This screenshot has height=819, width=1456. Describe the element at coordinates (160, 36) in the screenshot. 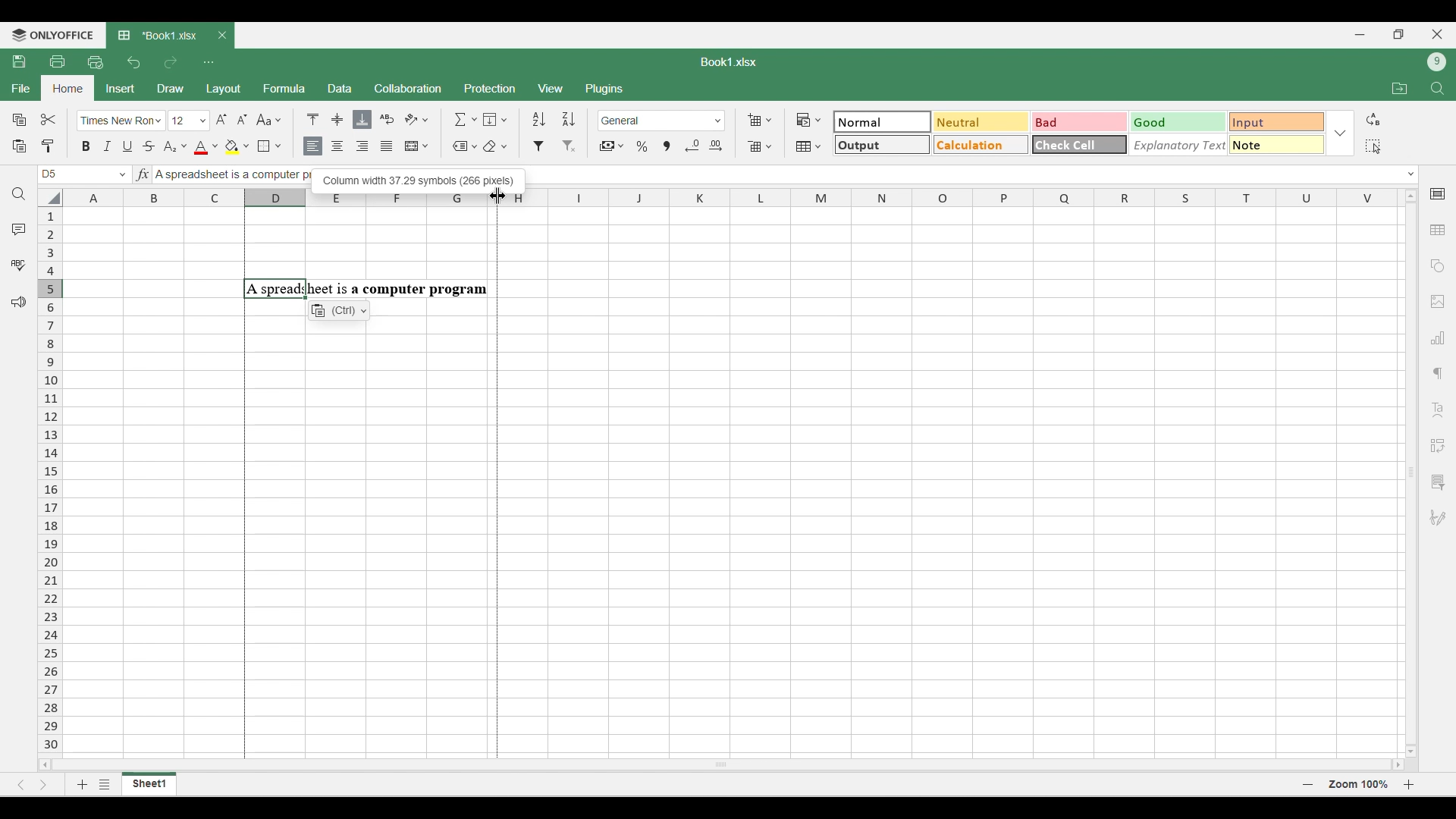

I see `Current sheet` at that location.